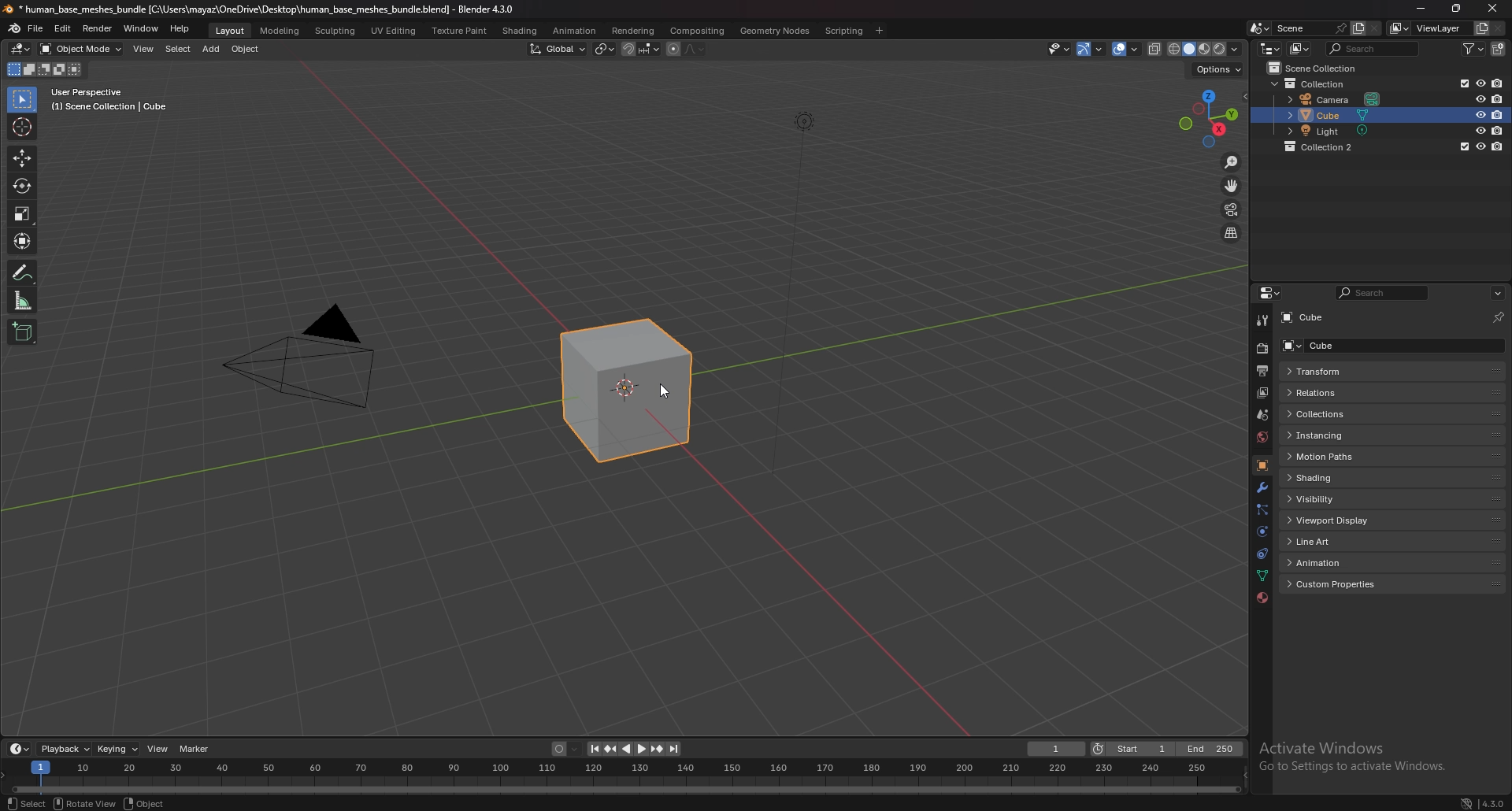 This screenshot has height=811, width=1512. What do you see at coordinates (1055, 750) in the screenshot?
I see `current frame` at bounding box center [1055, 750].